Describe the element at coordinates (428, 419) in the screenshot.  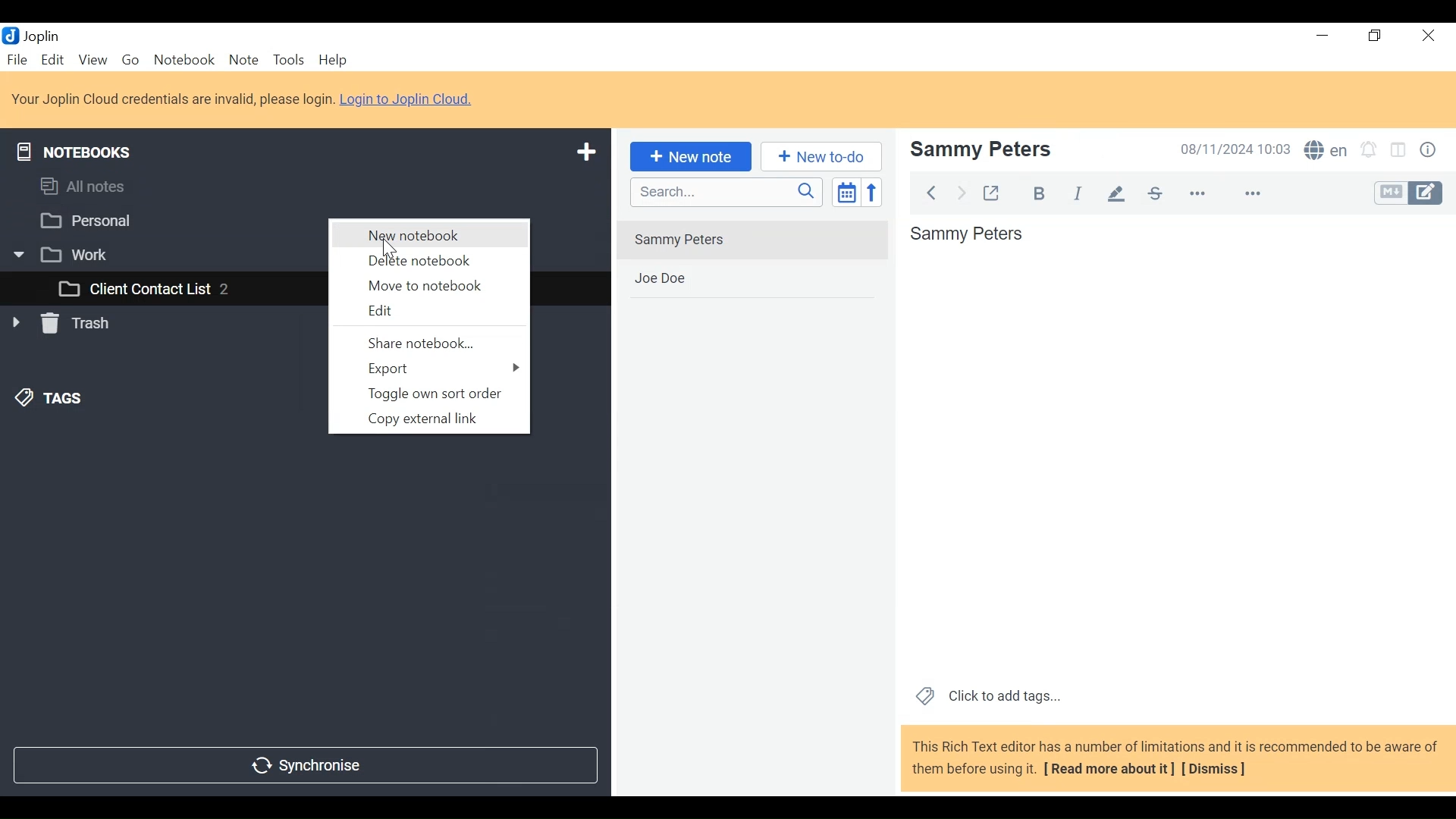
I see `Copy external link` at that location.